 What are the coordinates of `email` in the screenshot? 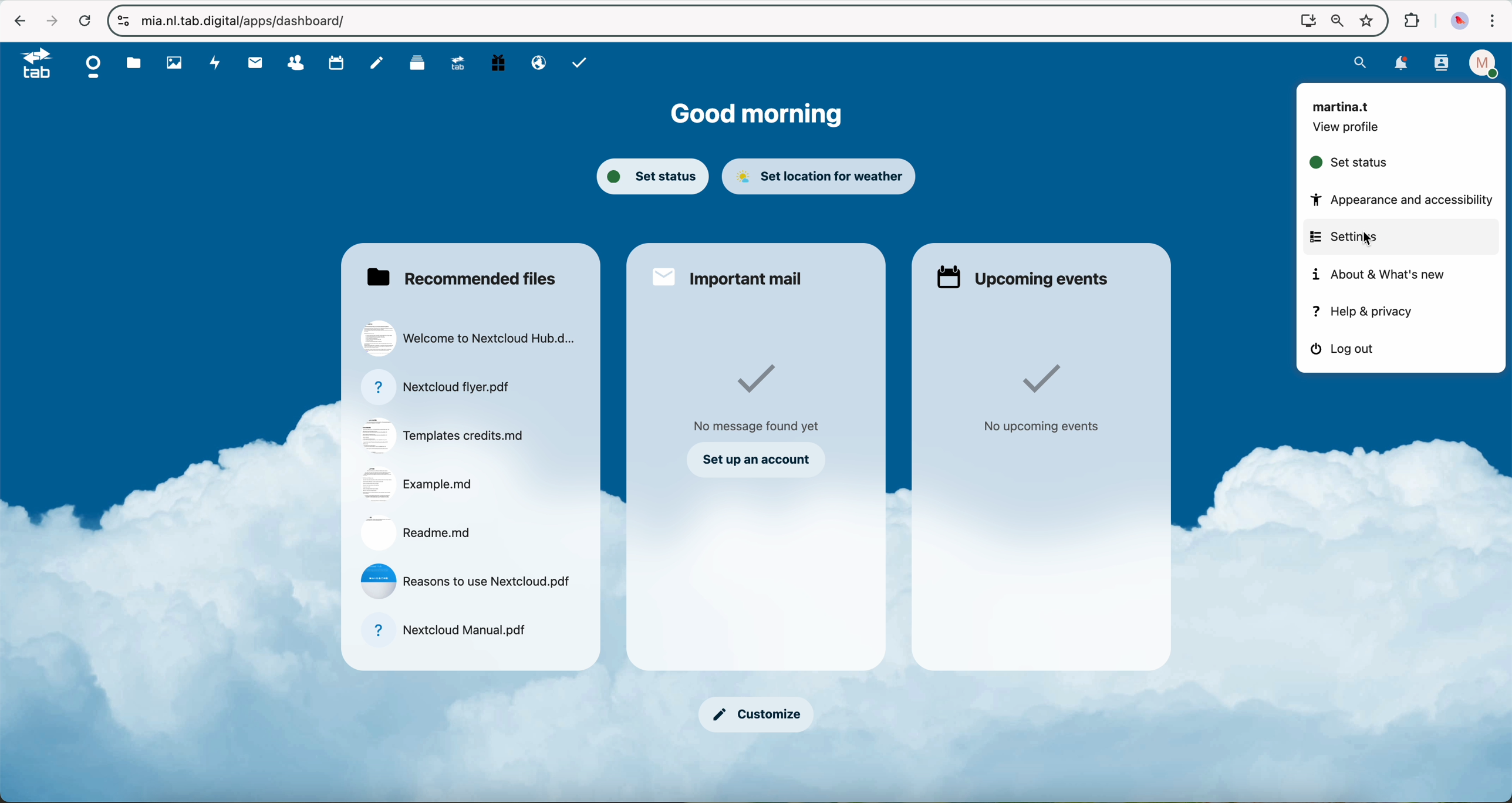 It's located at (536, 63).